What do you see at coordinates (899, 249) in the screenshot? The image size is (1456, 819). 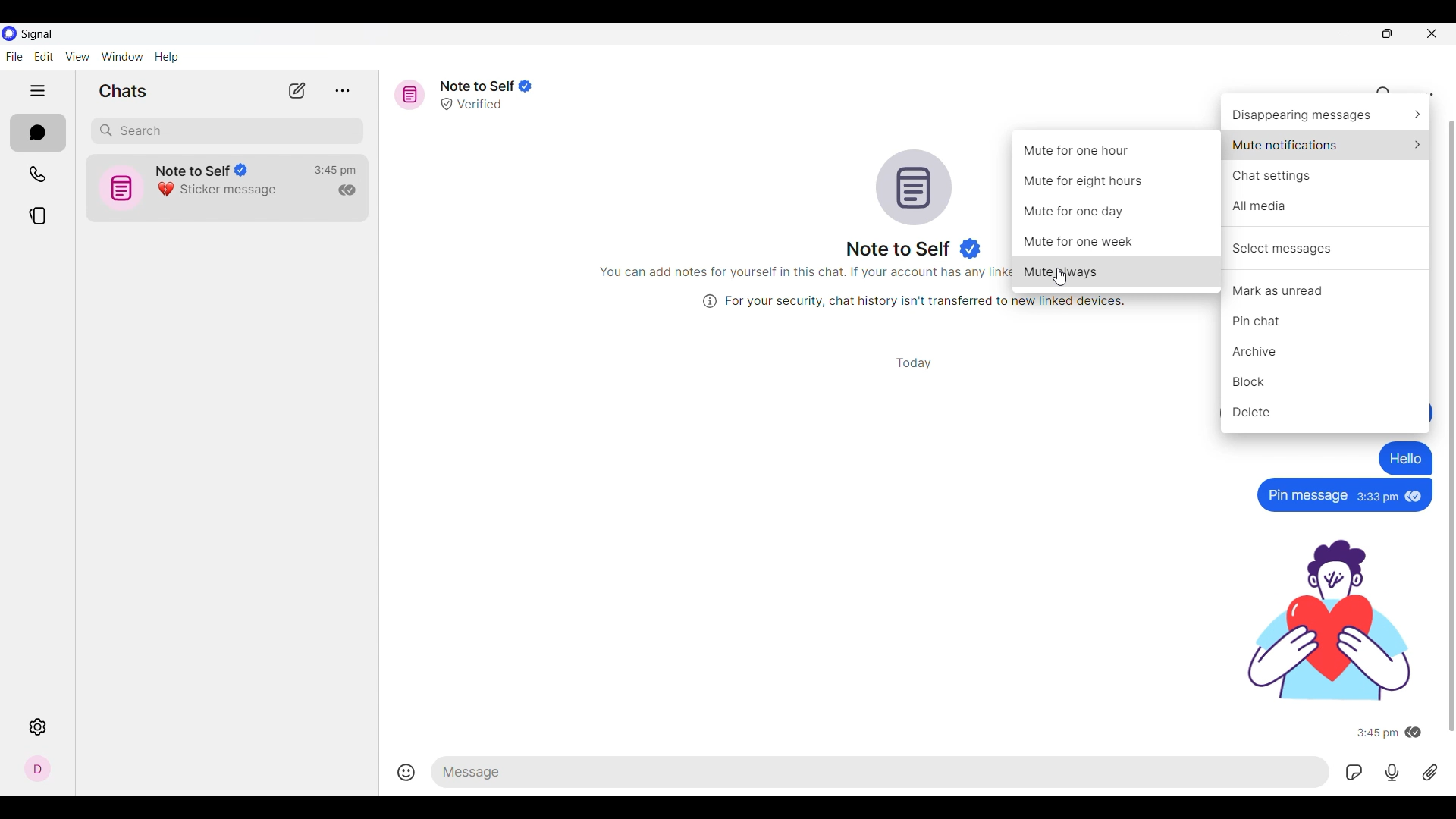 I see `Name of message reciever` at bounding box center [899, 249].